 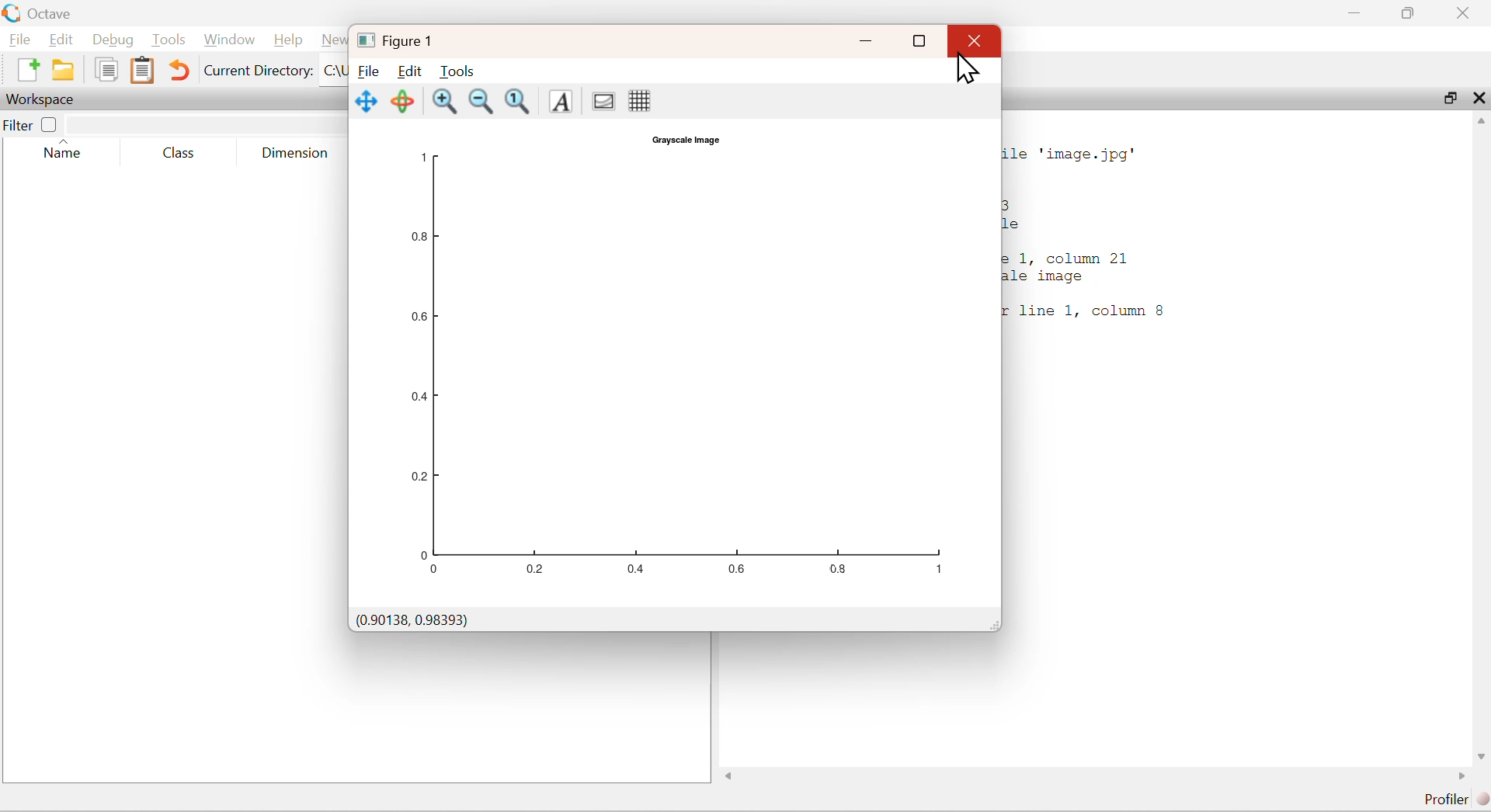 What do you see at coordinates (412, 40) in the screenshot?
I see `Figure 1` at bounding box center [412, 40].